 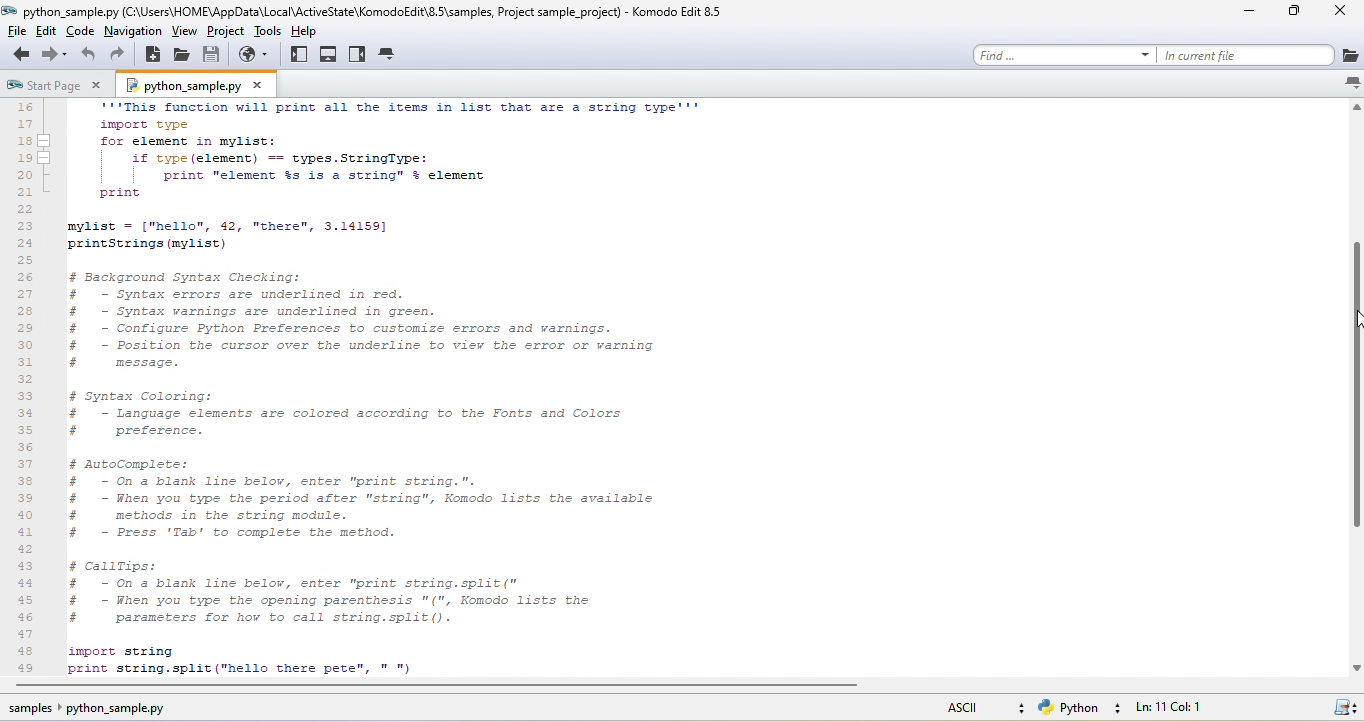 I want to click on help, so click(x=312, y=29).